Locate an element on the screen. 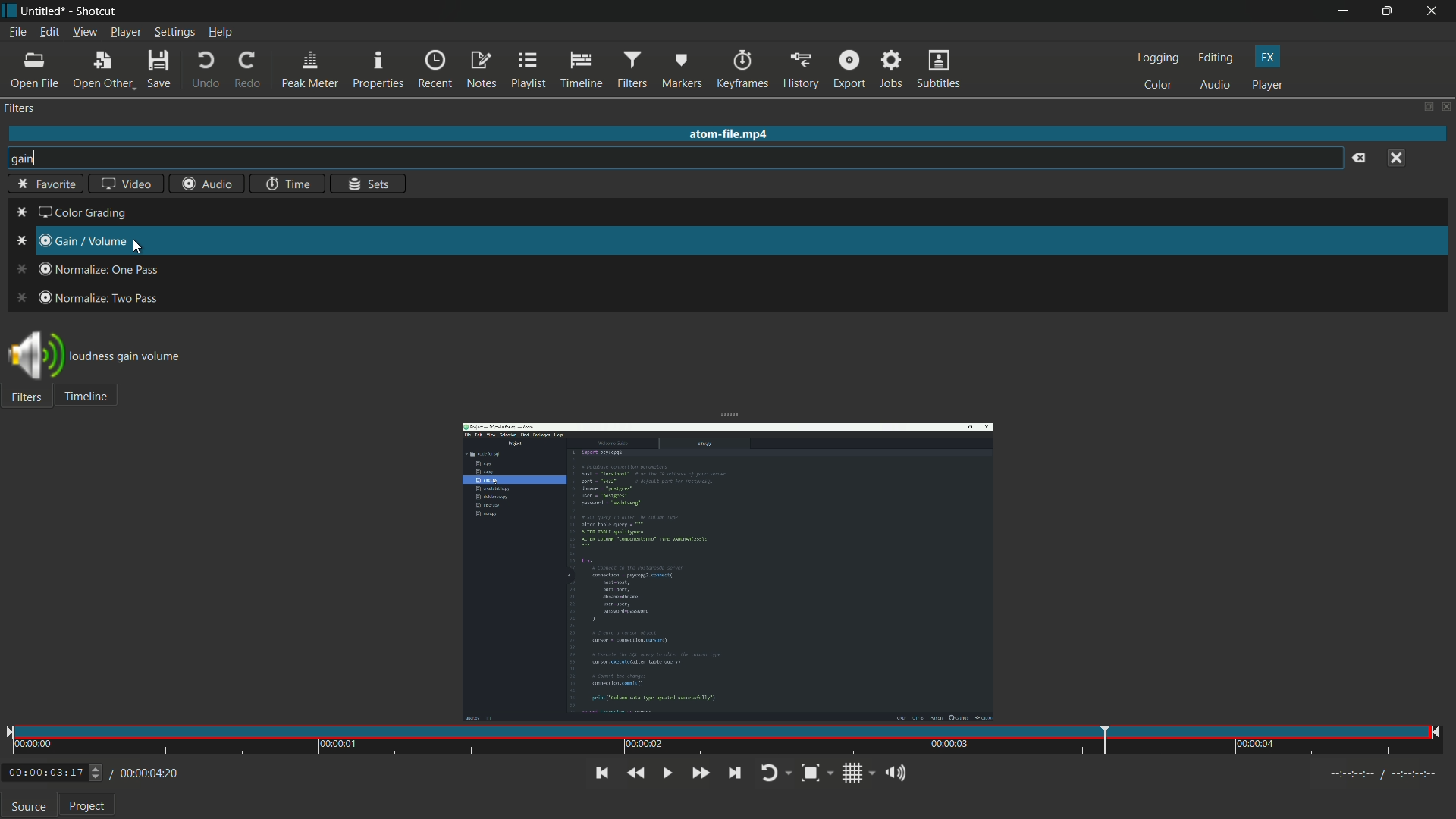 The width and height of the screenshot is (1456, 819). favorite is located at coordinates (46, 183).